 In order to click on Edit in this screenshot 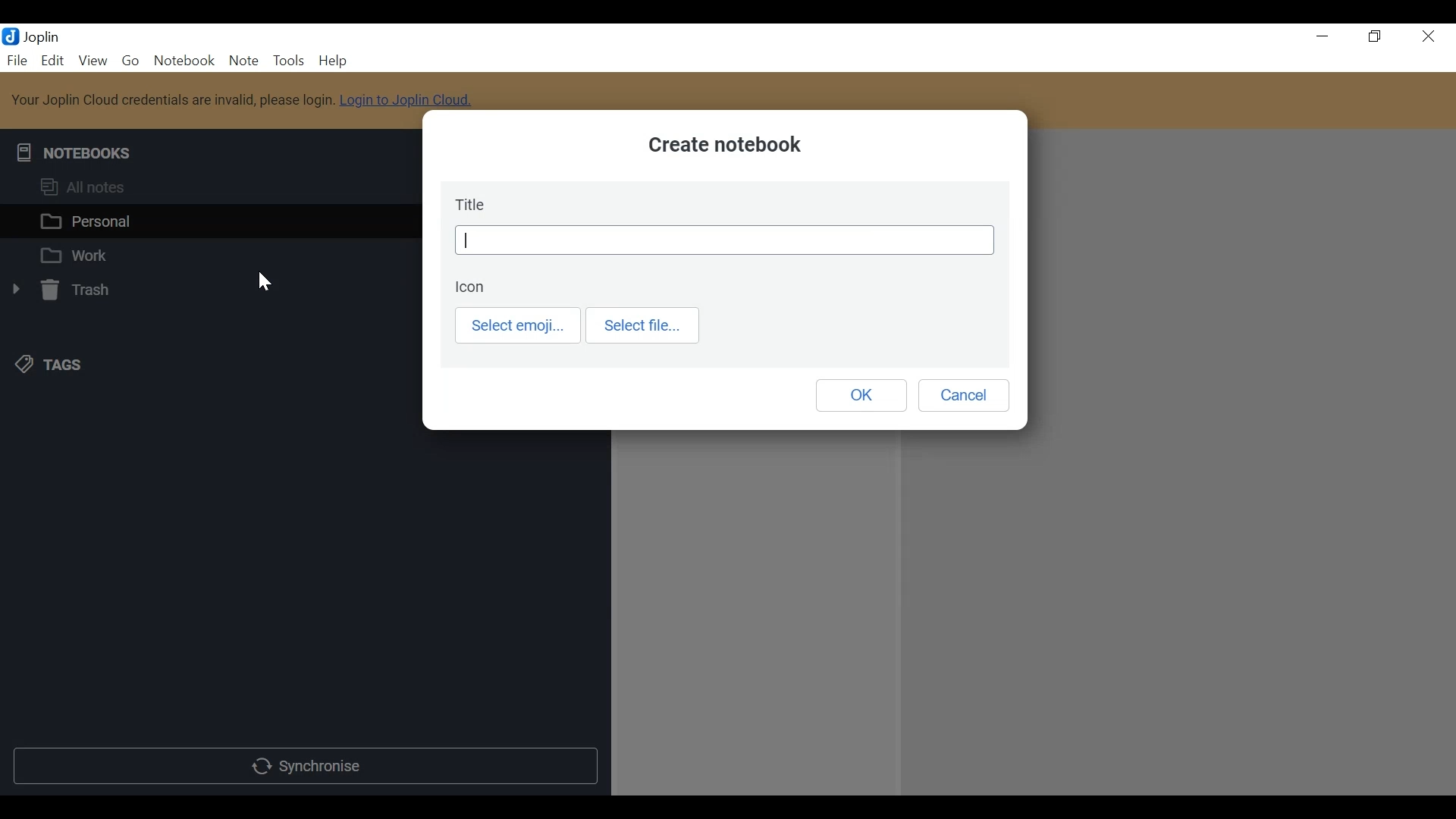, I will do `click(54, 60)`.